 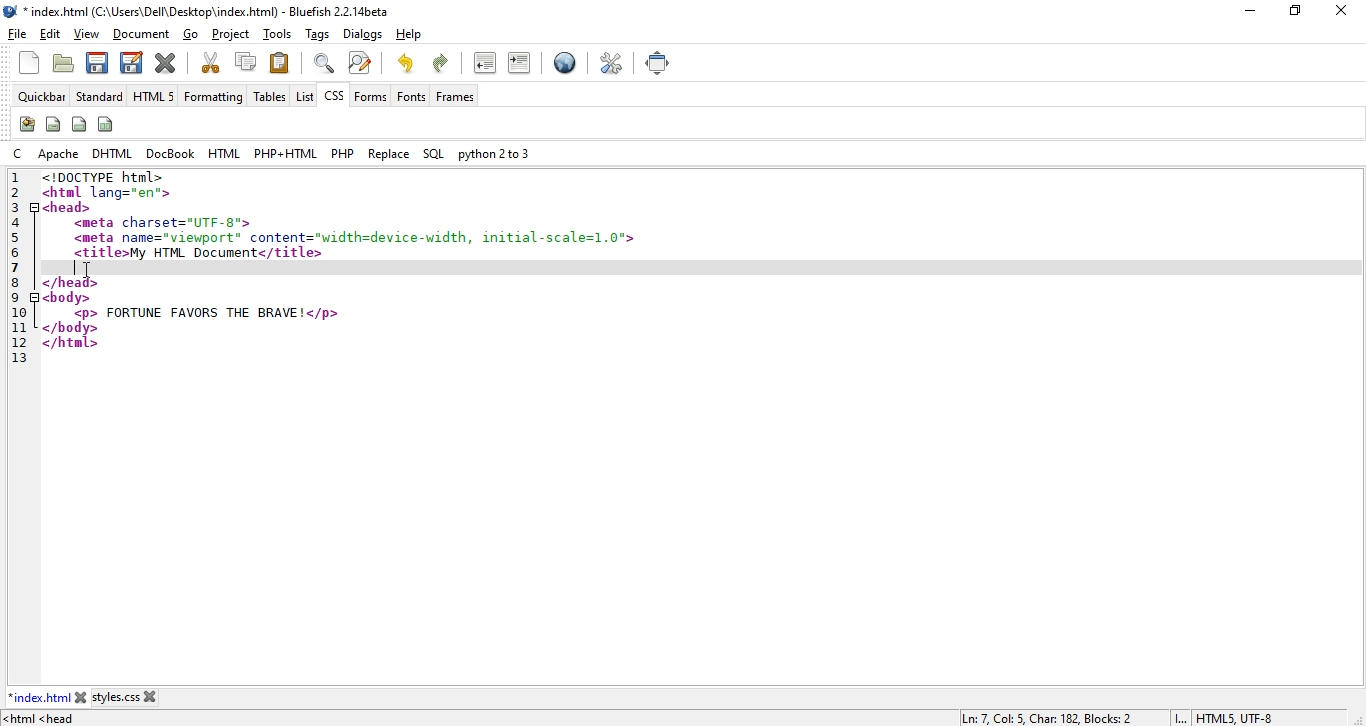 I want to click on 3, so click(x=18, y=205).